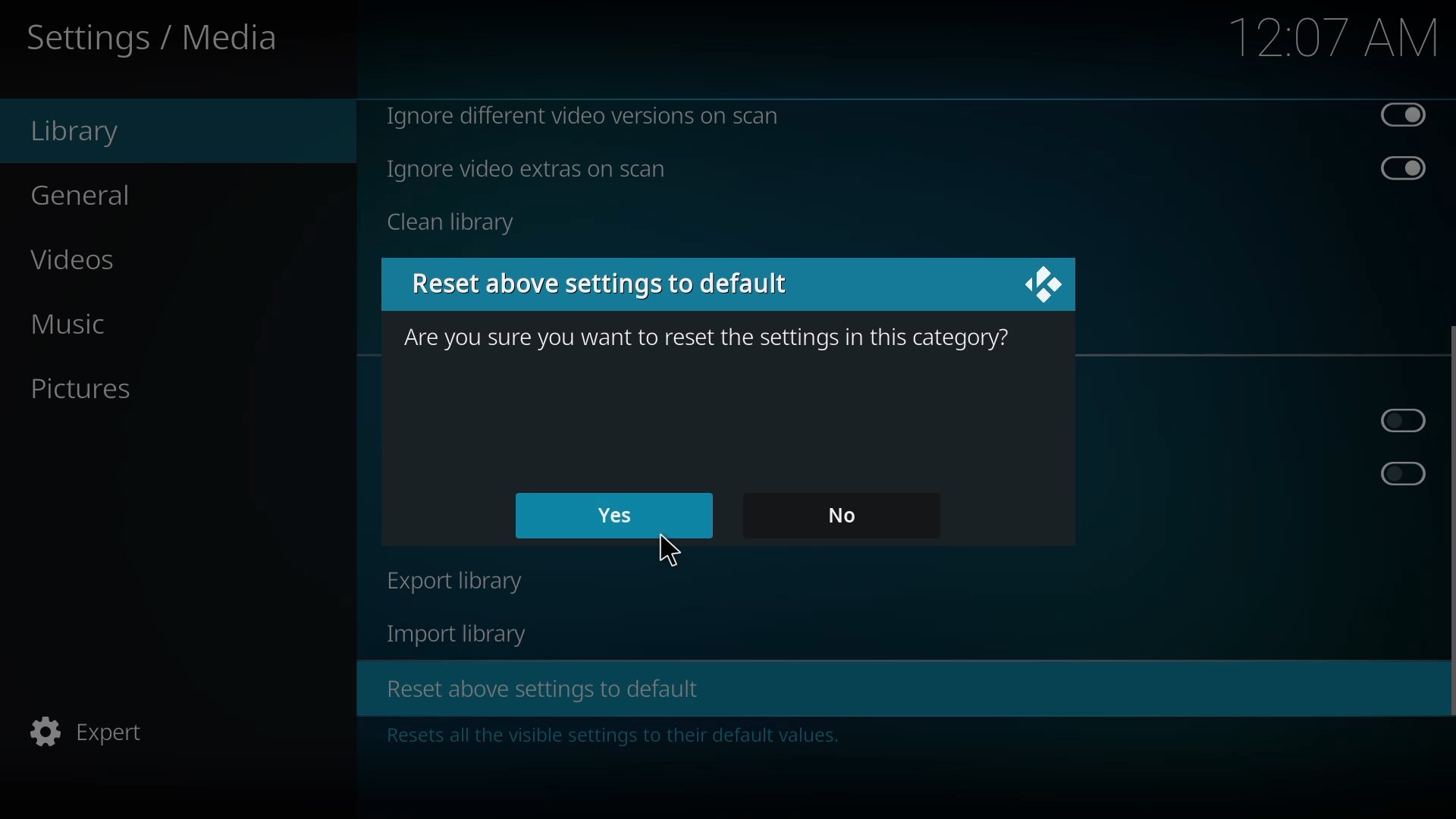 The height and width of the screenshot is (819, 1456). What do you see at coordinates (1461, 522) in the screenshot?
I see `Scroll Bar` at bounding box center [1461, 522].